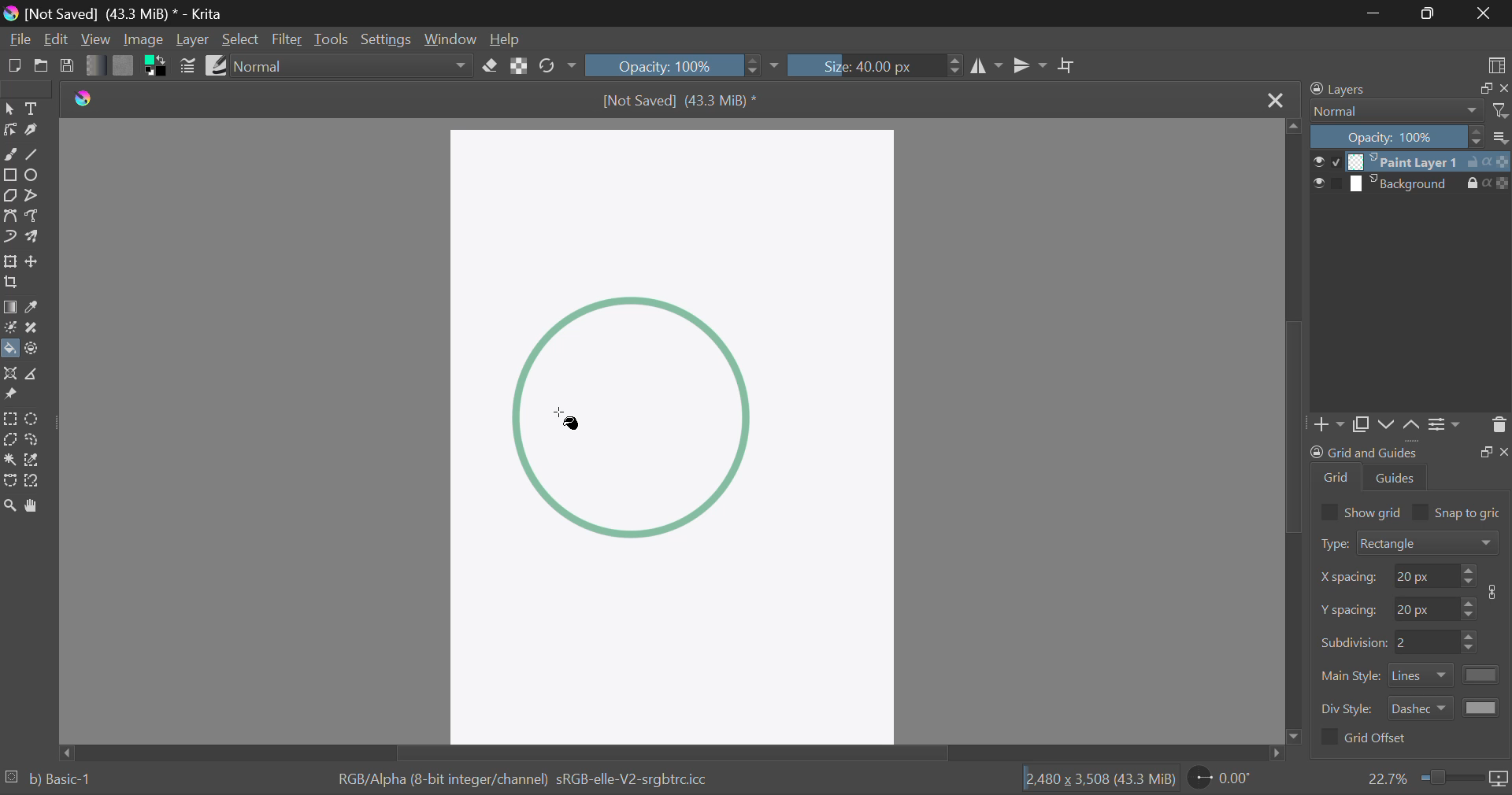 The image size is (1512, 795). I want to click on Colors in Use, so click(157, 68).